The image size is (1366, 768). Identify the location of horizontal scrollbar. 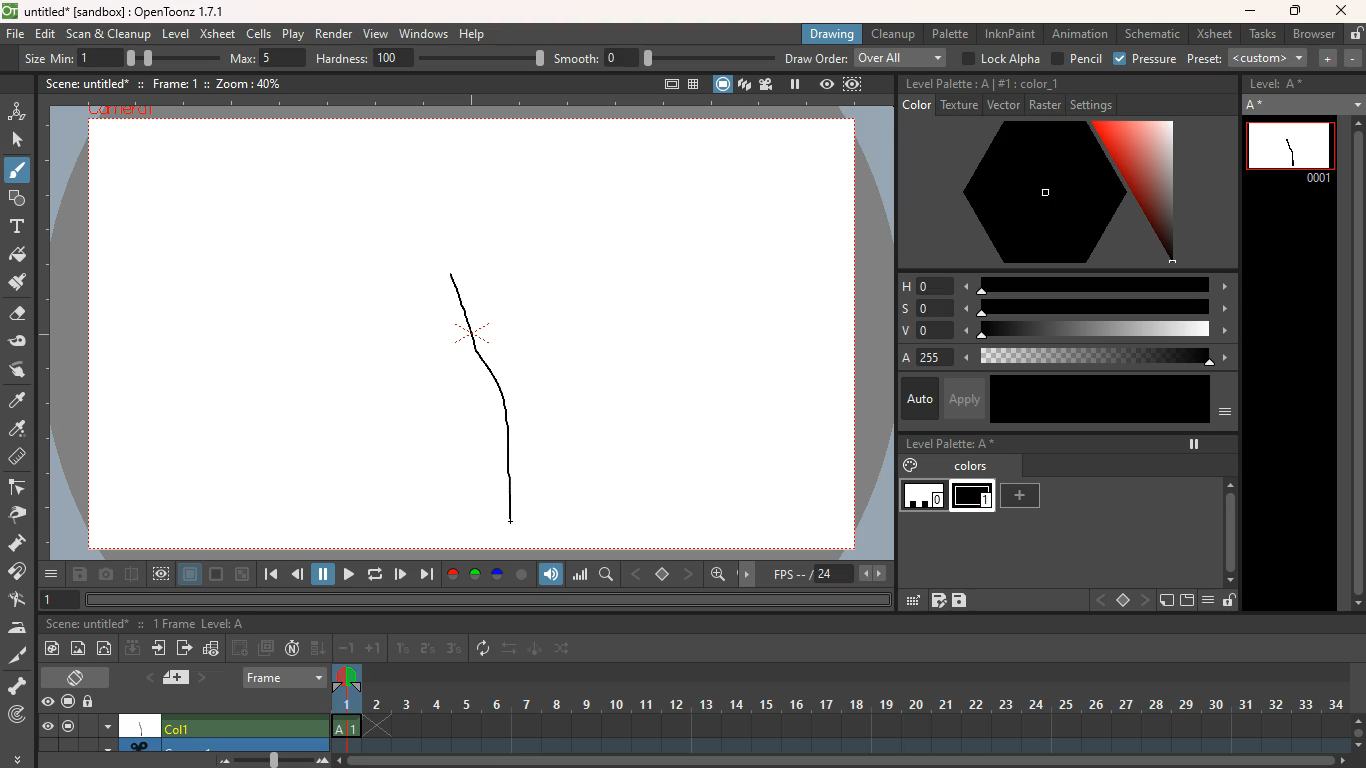
(487, 599).